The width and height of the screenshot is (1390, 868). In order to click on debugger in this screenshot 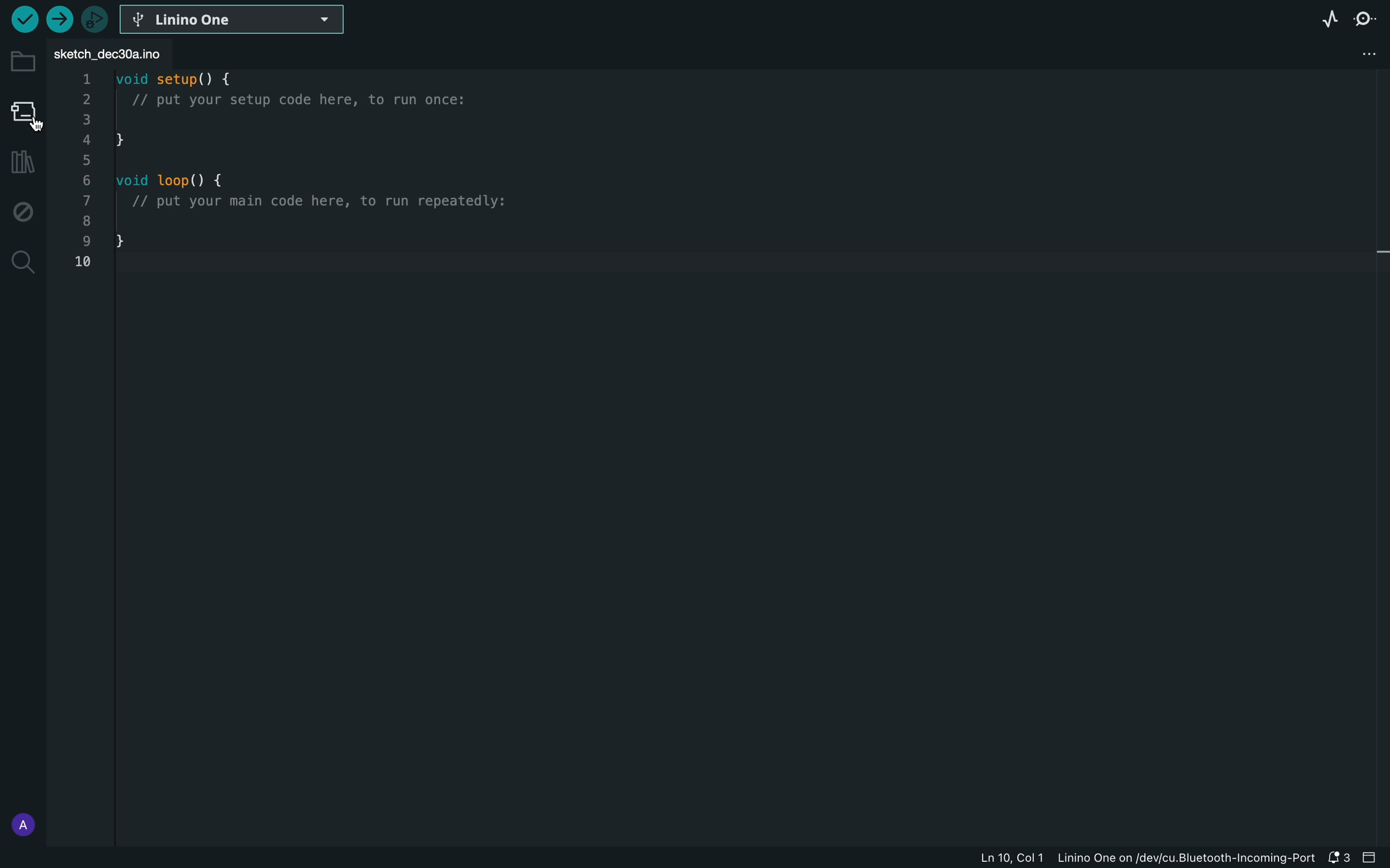, I will do `click(91, 18)`.